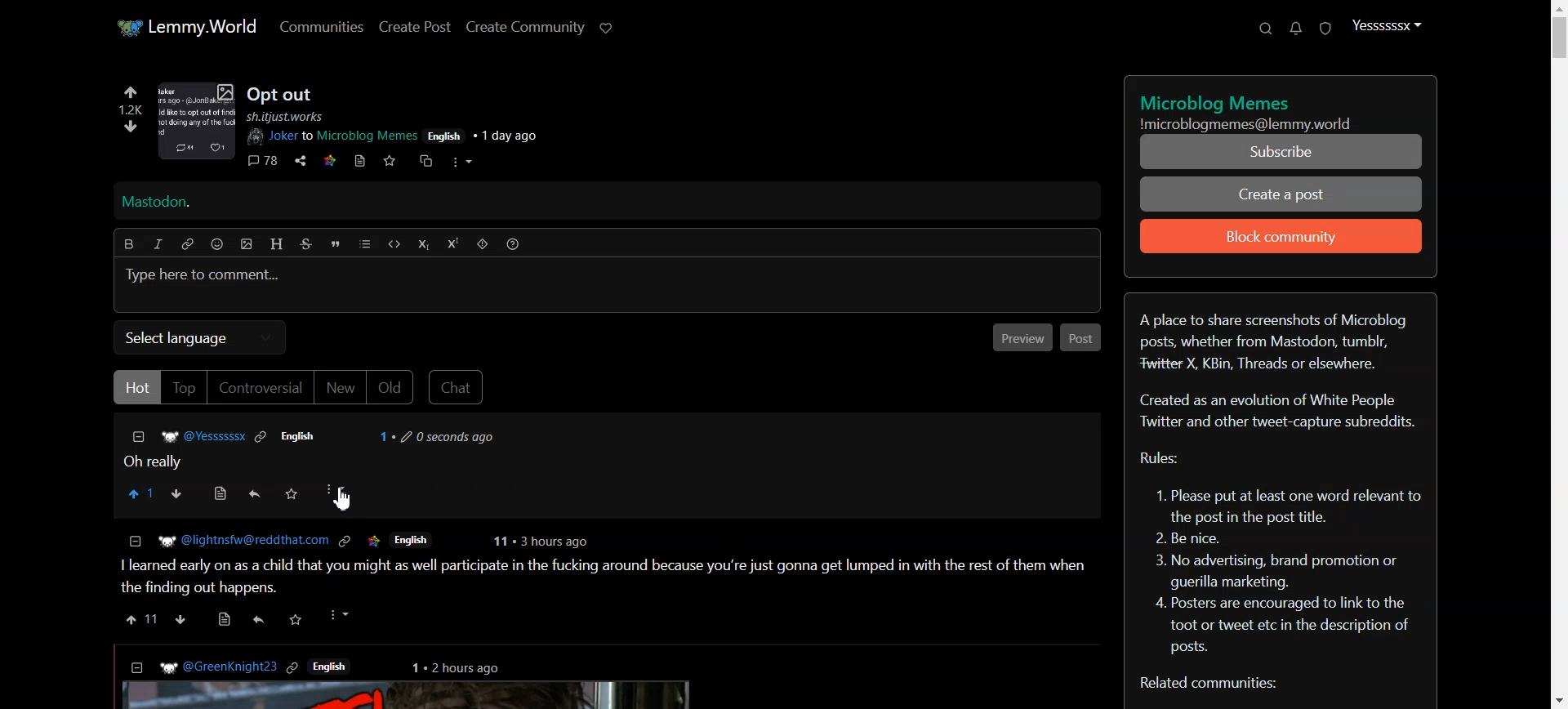 The image size is (1568, 709). Describe the element at coordinates (1325, 29) in the screenshot. I see `Unread report` at that location.